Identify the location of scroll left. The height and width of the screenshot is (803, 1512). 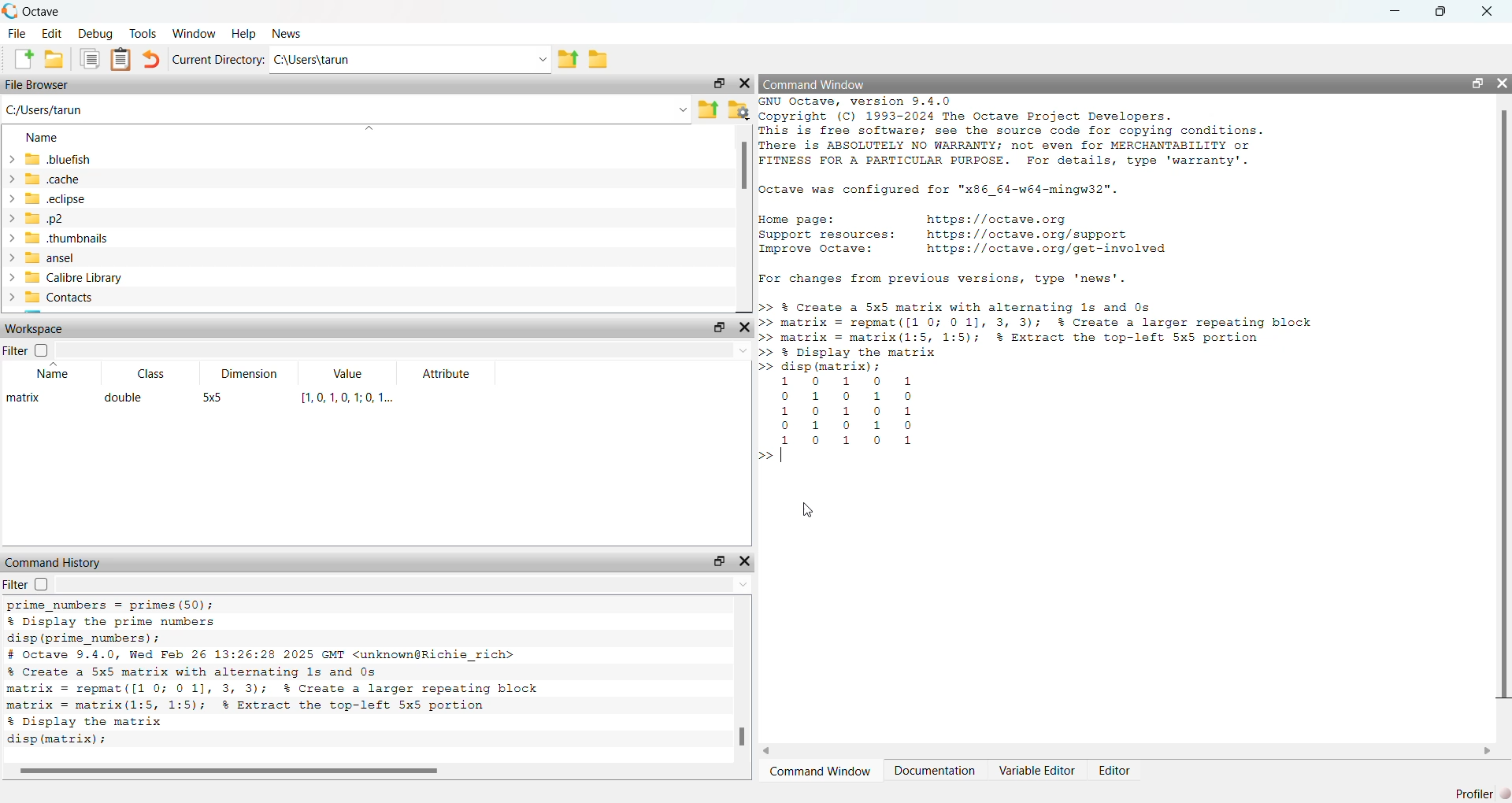
(768, 751).